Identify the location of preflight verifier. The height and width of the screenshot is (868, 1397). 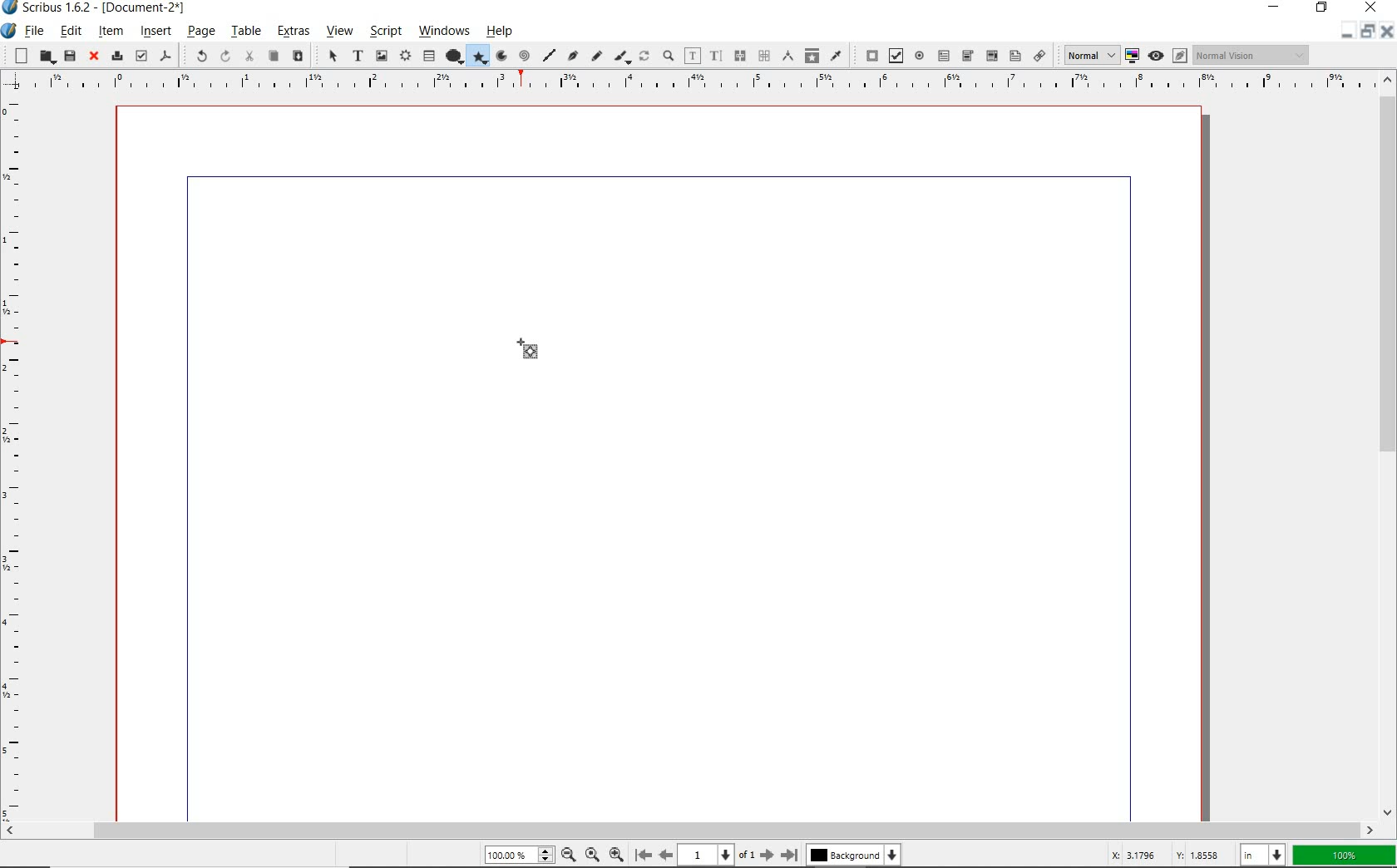
(141, 55).